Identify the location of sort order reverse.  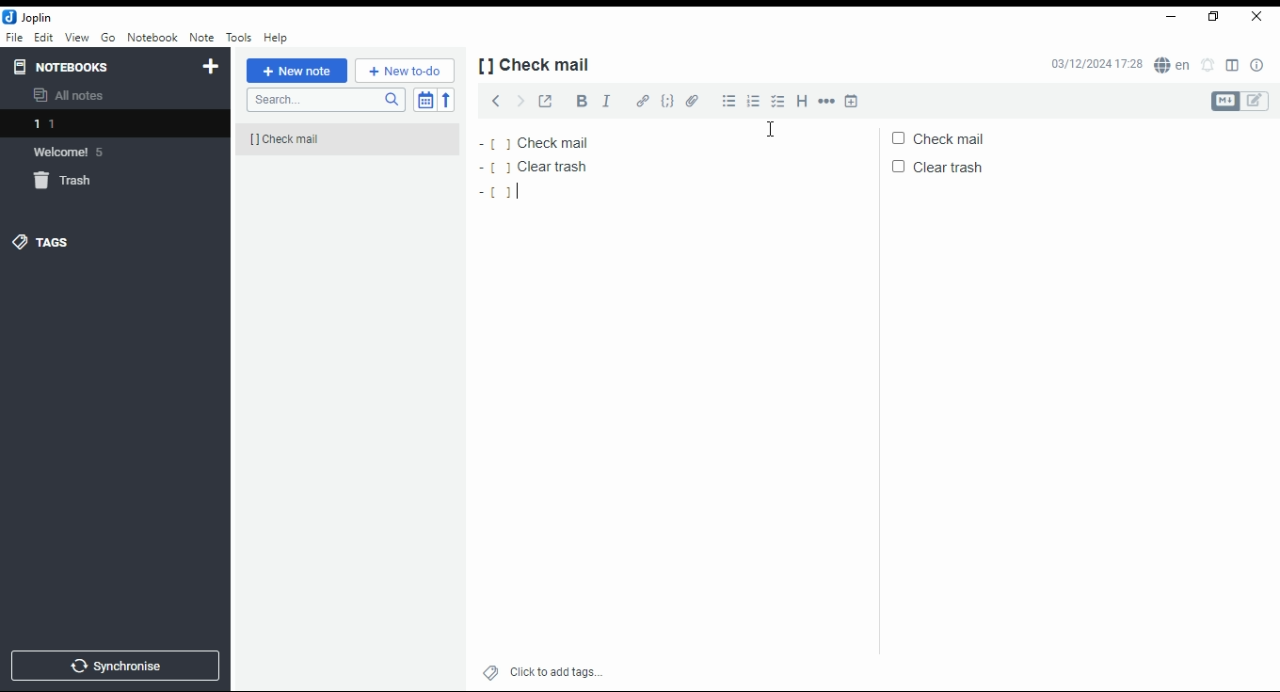
(446, 99).